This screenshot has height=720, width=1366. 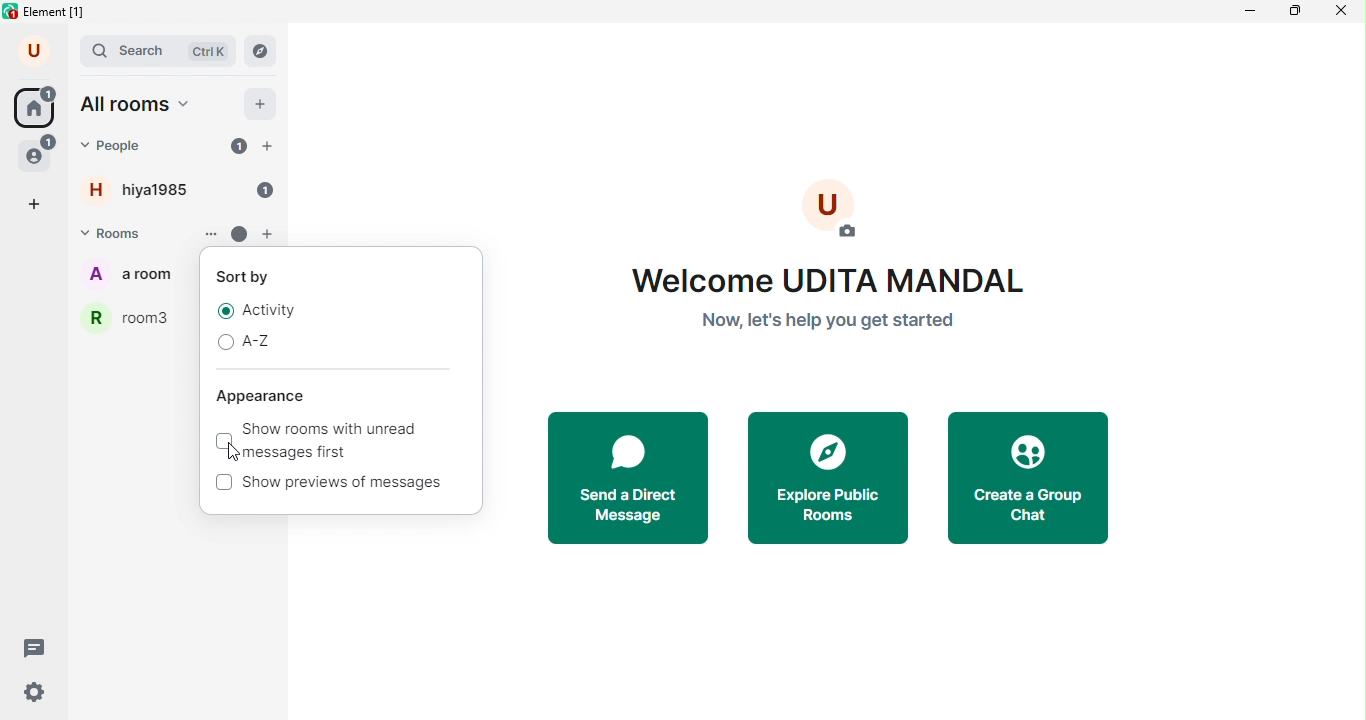 I want to click on welcome text, so click(x=842, y=296).